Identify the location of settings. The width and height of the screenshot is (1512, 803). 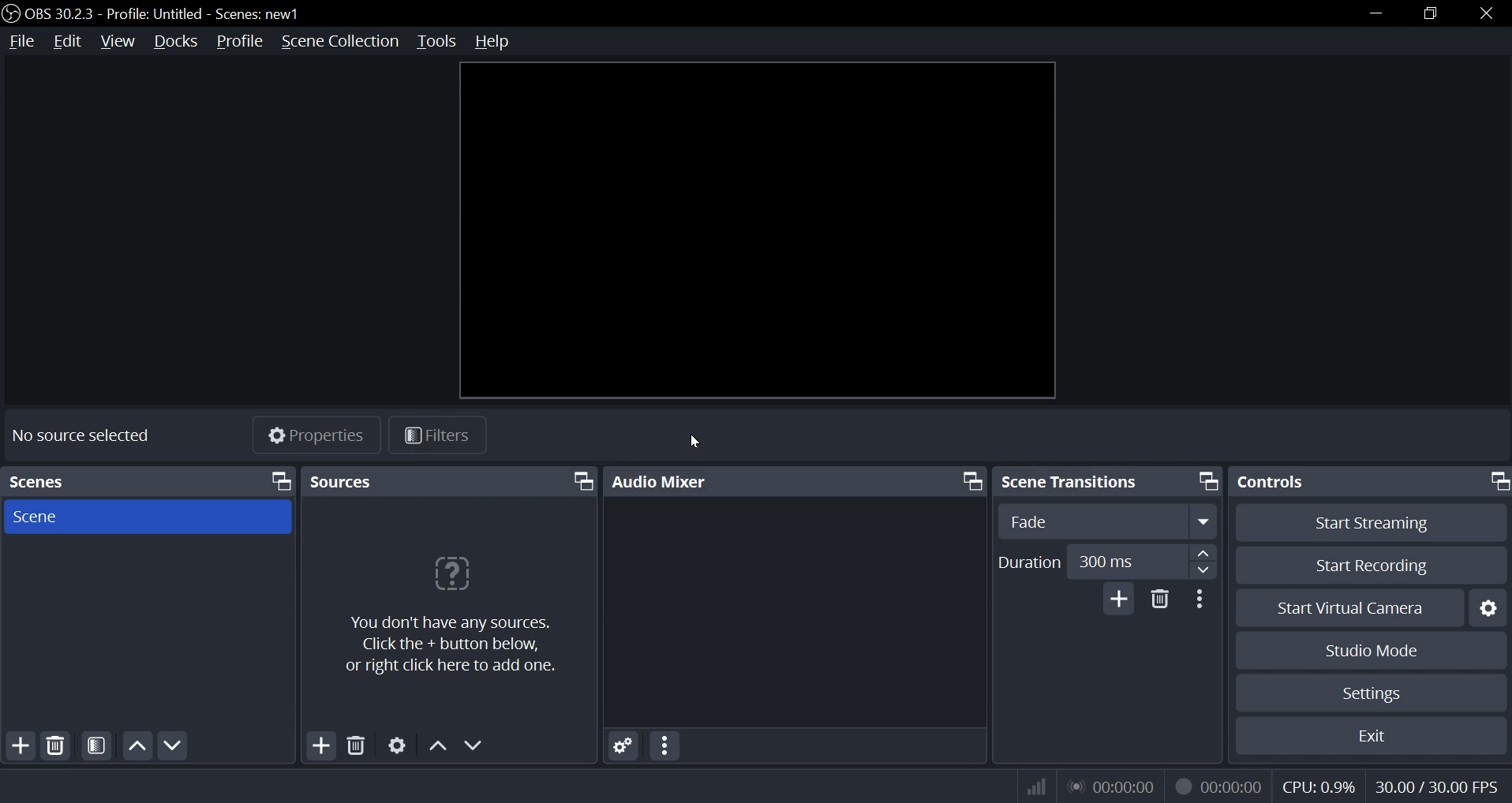
(1374, 691).